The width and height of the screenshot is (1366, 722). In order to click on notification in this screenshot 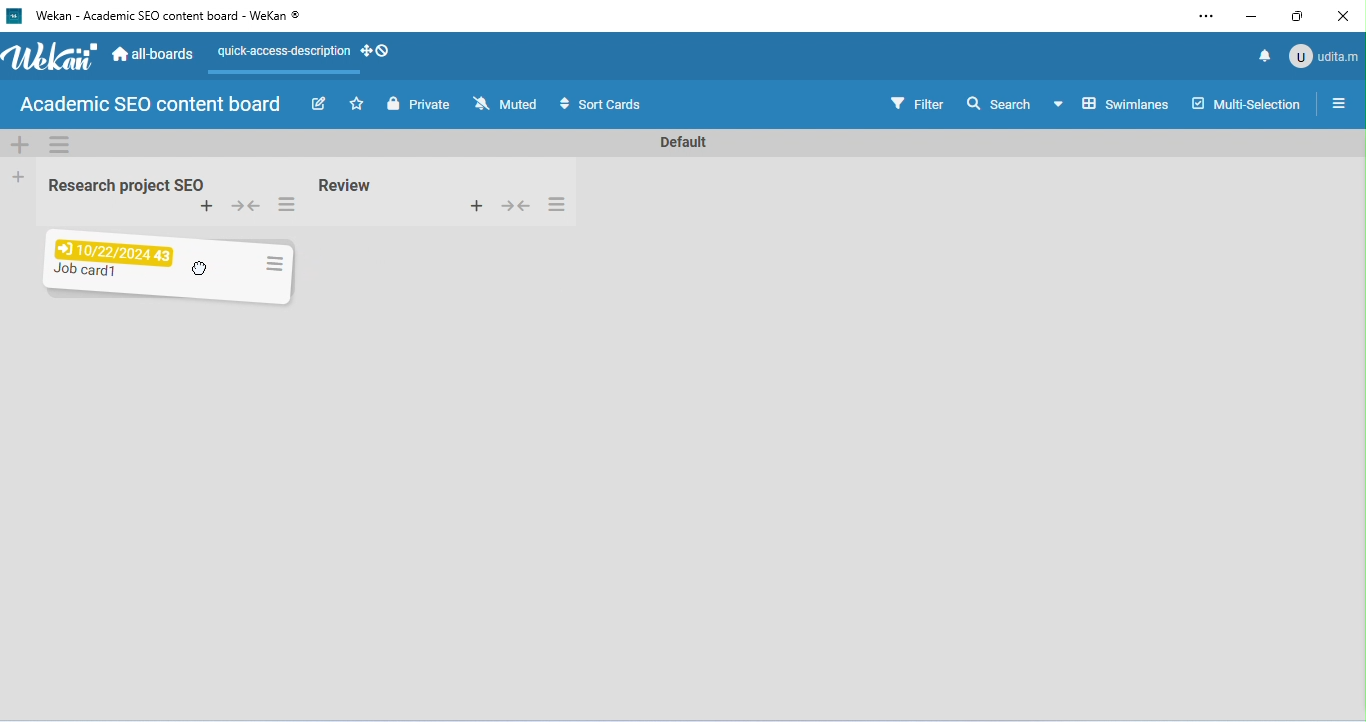, I will do `click(1262, 55)`.